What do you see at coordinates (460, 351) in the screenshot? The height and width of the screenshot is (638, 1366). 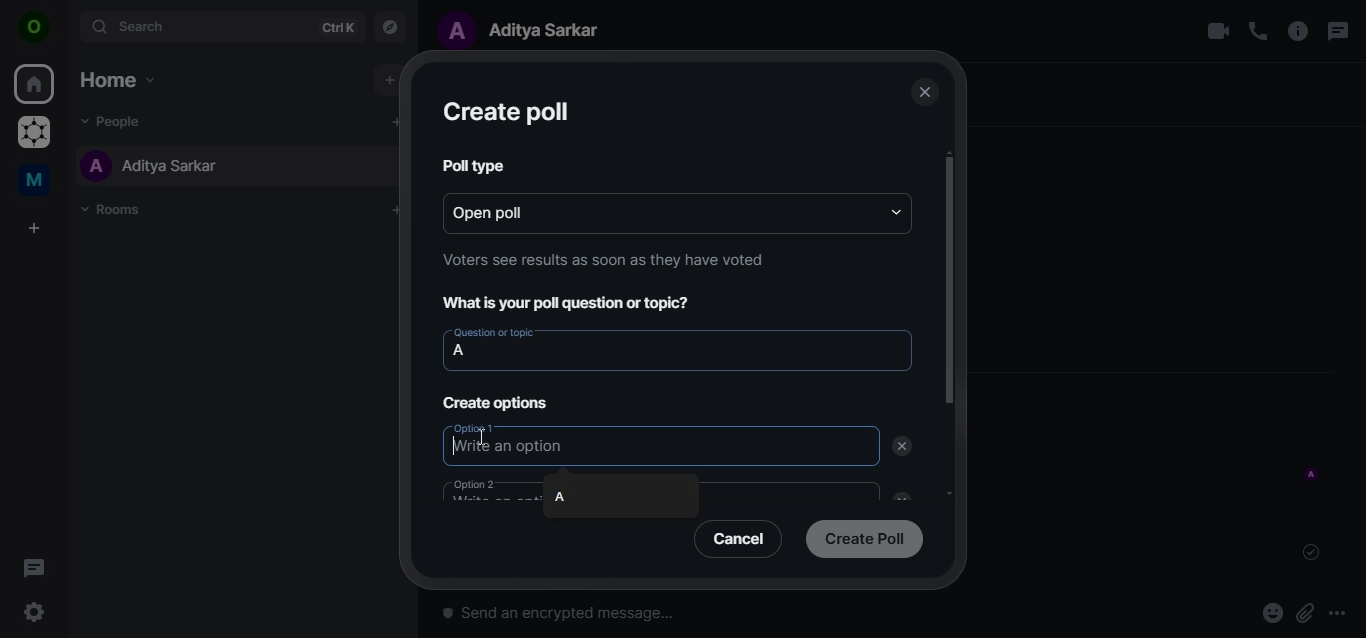 I see `a` at bounding box center [460, 351].